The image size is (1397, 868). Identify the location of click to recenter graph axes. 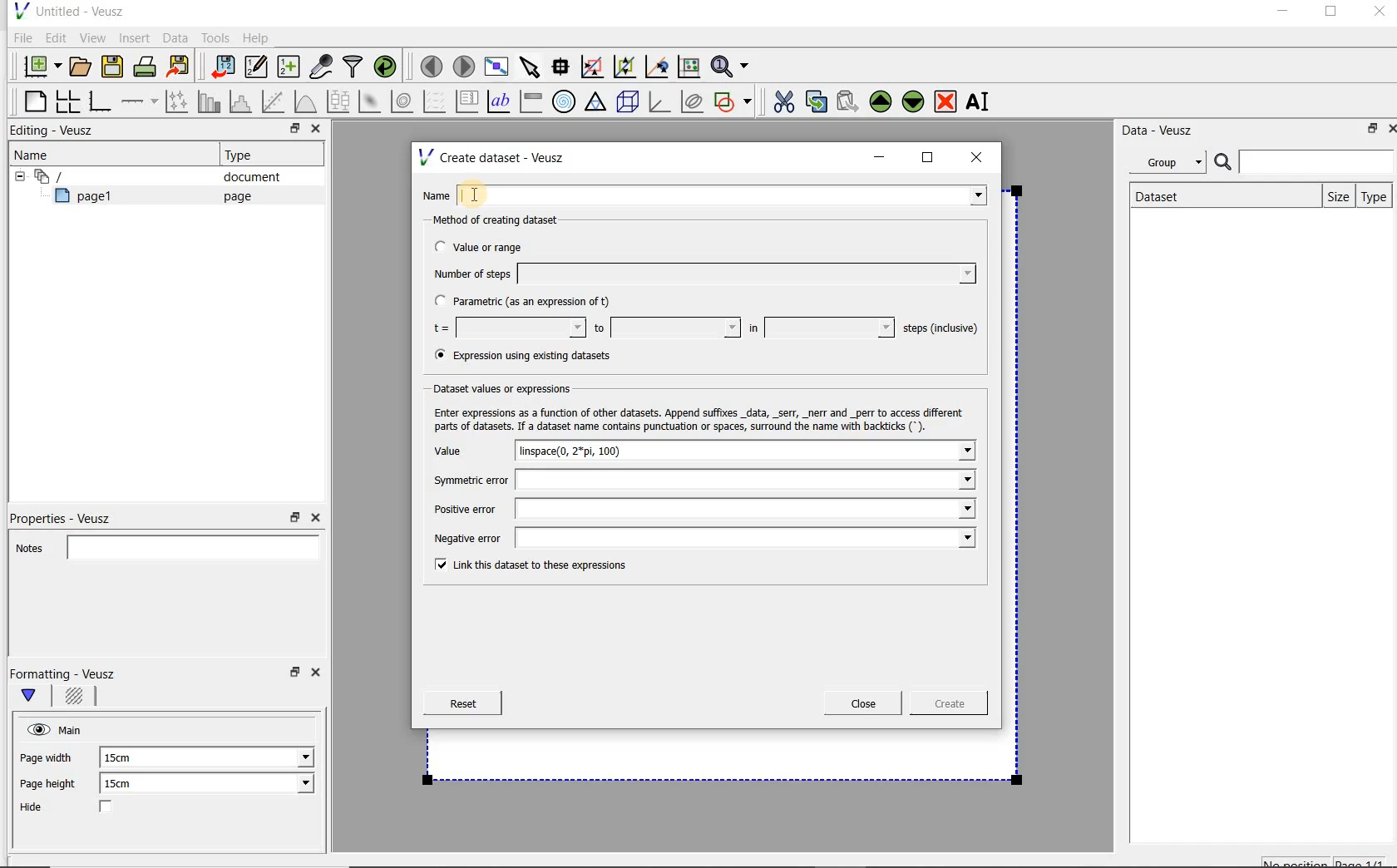
(658, 67).